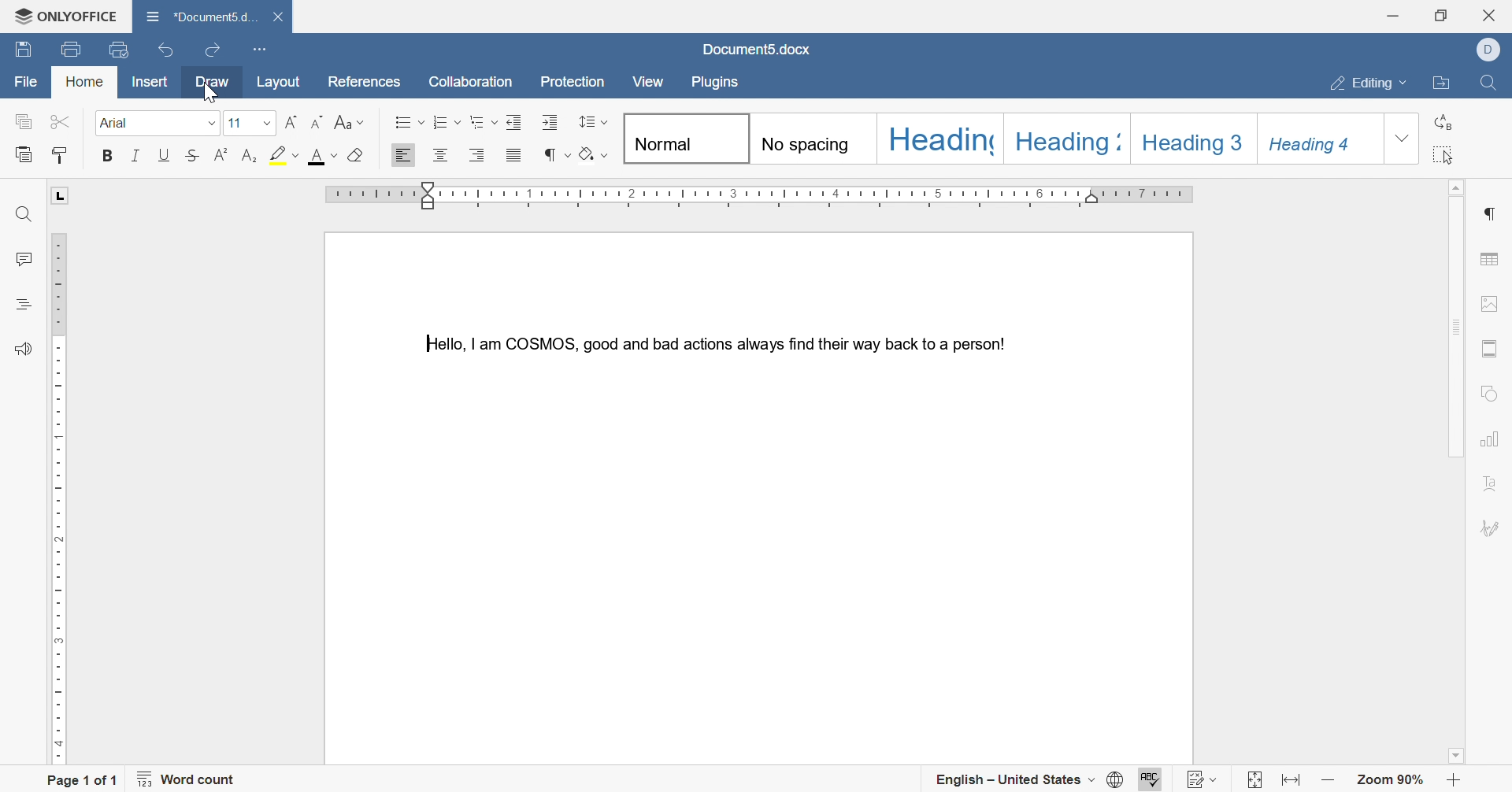  What do you see at coordinates (24, 123) in the screenshot?
I see `copy` at bounding box center [24, 123].